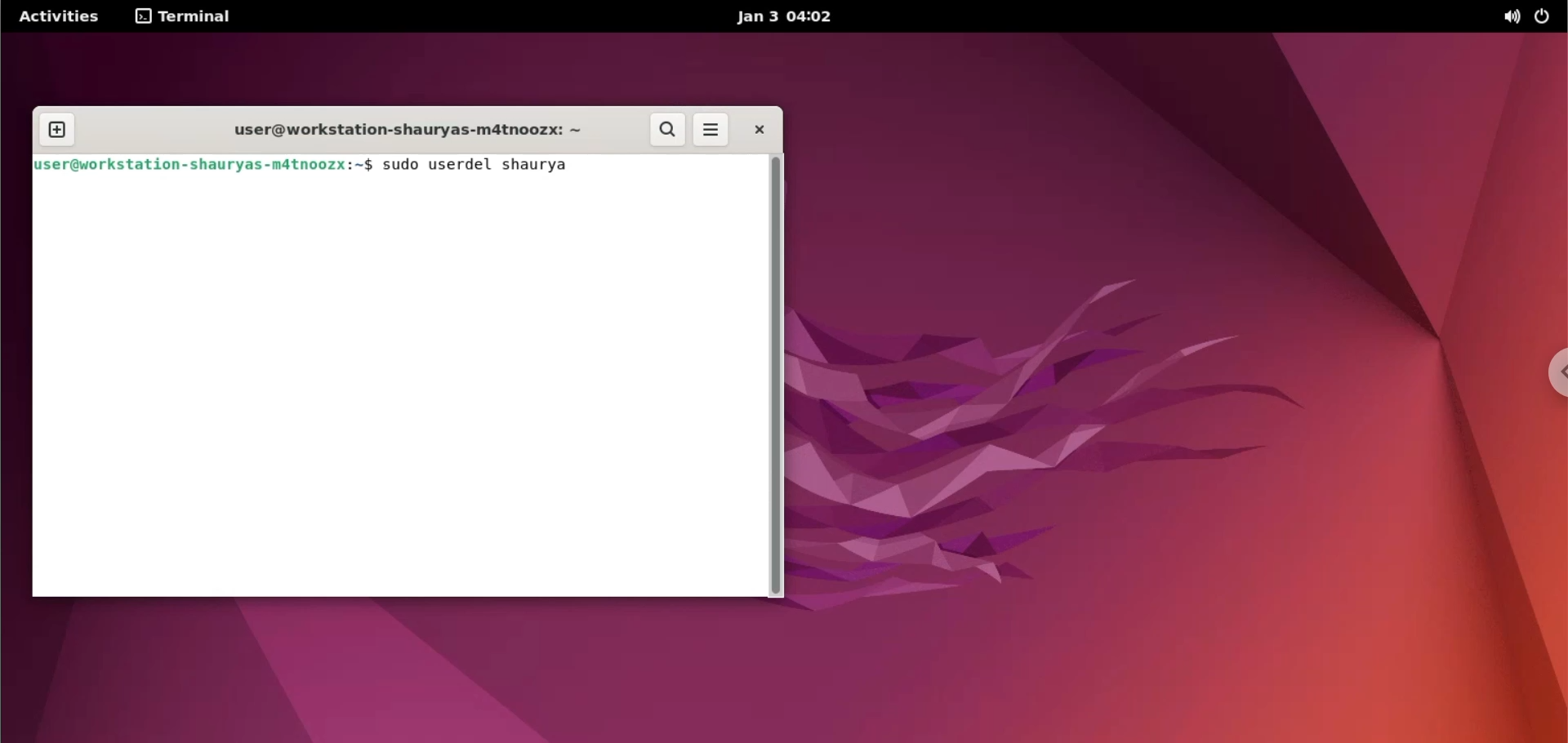 This screenshot has width=1568, height=743. Describe the element at coordinates (479, 165) in the screenshot. I see `sudo userdel shaurya` at that location.